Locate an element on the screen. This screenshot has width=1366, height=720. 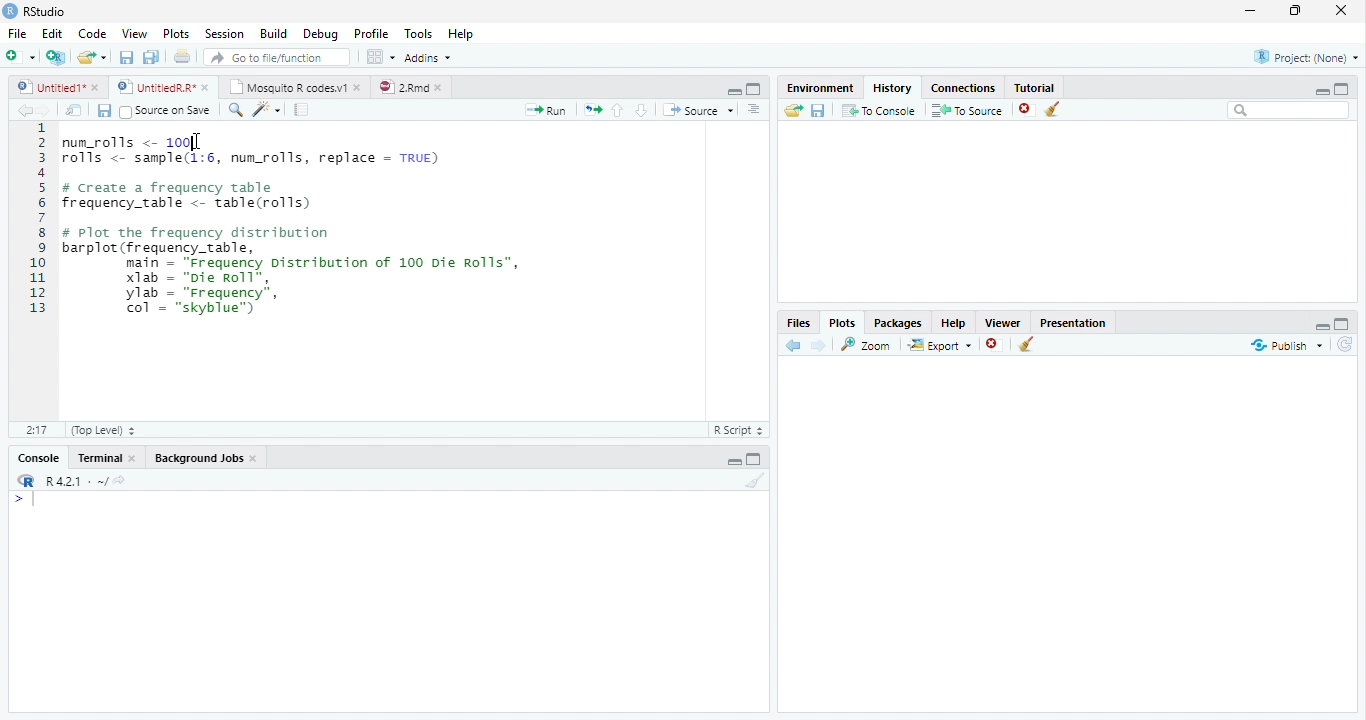
Code Editor is located at coordinates (355, 271).